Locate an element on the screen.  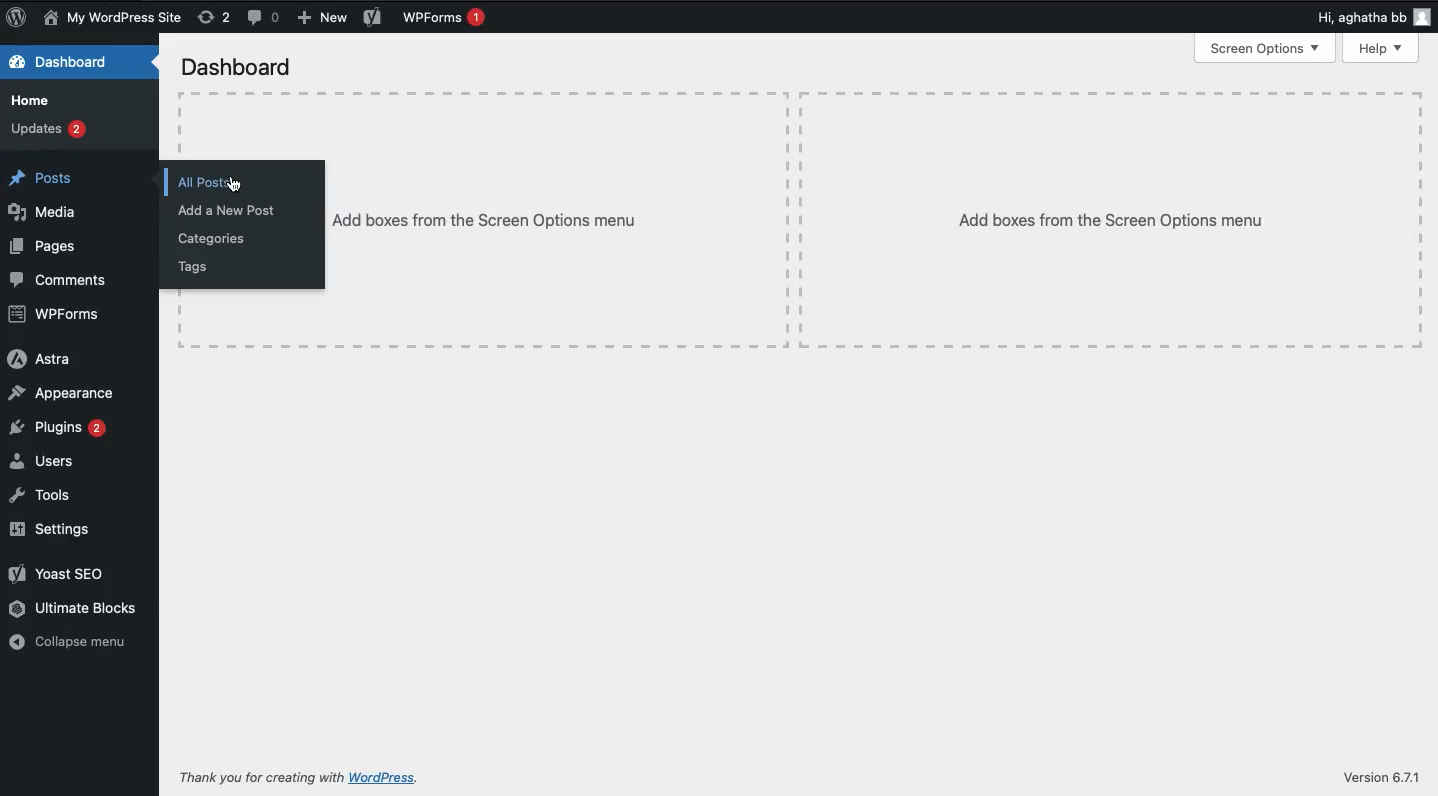
Thank you for creating with WordPress is located at coordinates (261, 777).